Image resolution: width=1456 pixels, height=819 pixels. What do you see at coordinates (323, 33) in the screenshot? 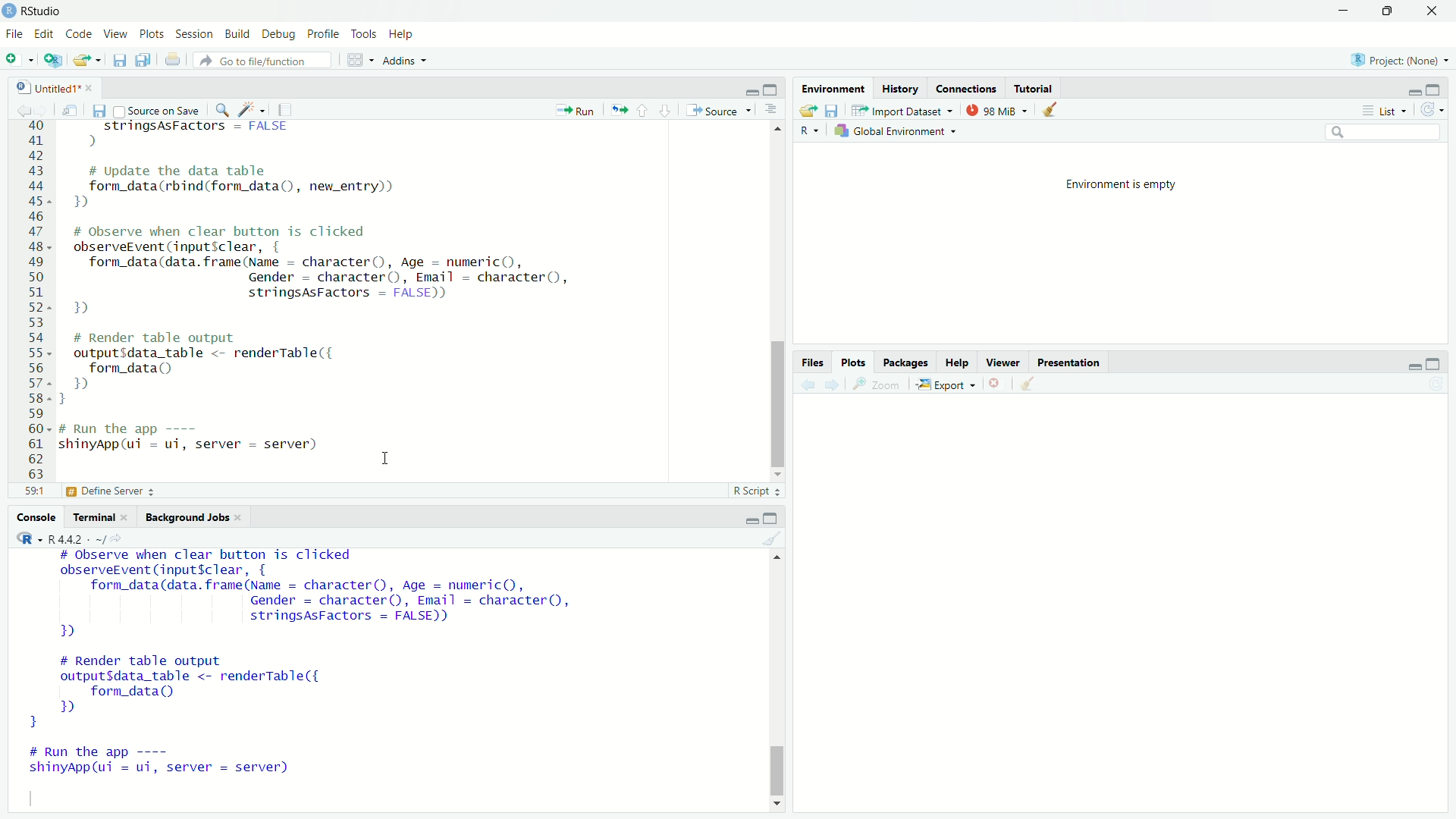
I see `Profile` at bounding box center [323, 33].